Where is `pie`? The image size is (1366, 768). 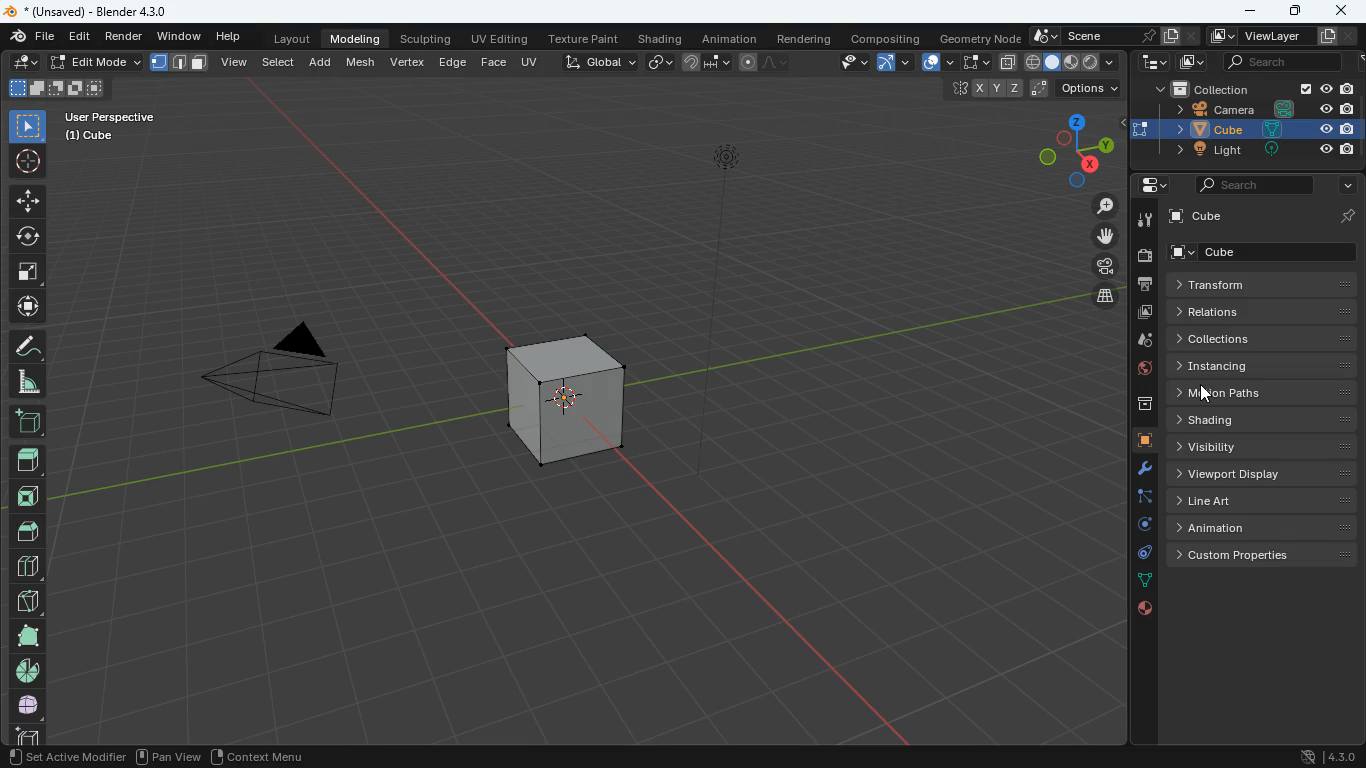
pie is located at coordinates (26, 670).